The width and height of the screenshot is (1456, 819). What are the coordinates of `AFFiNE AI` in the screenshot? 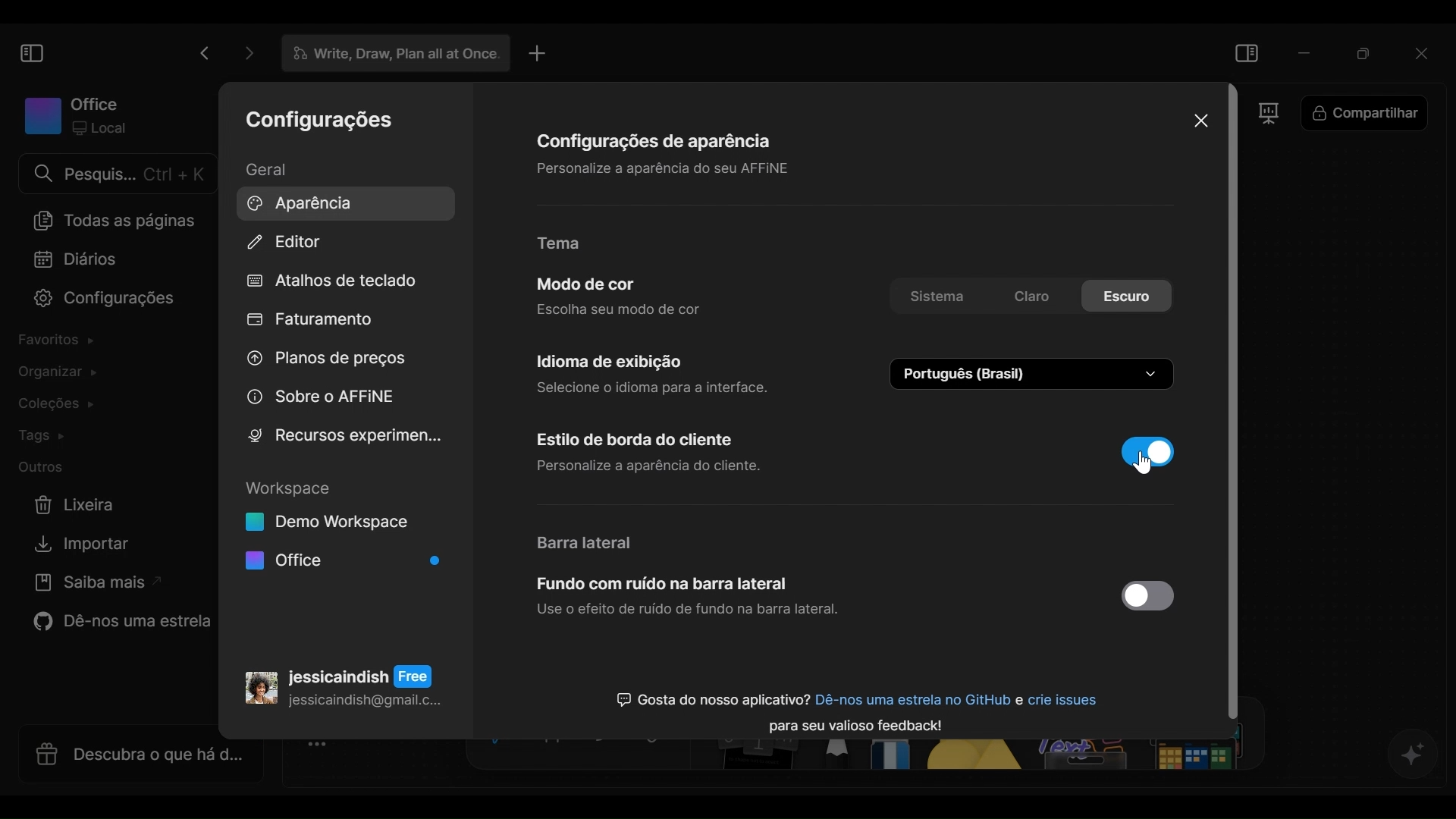 It's located at (1414, 755).